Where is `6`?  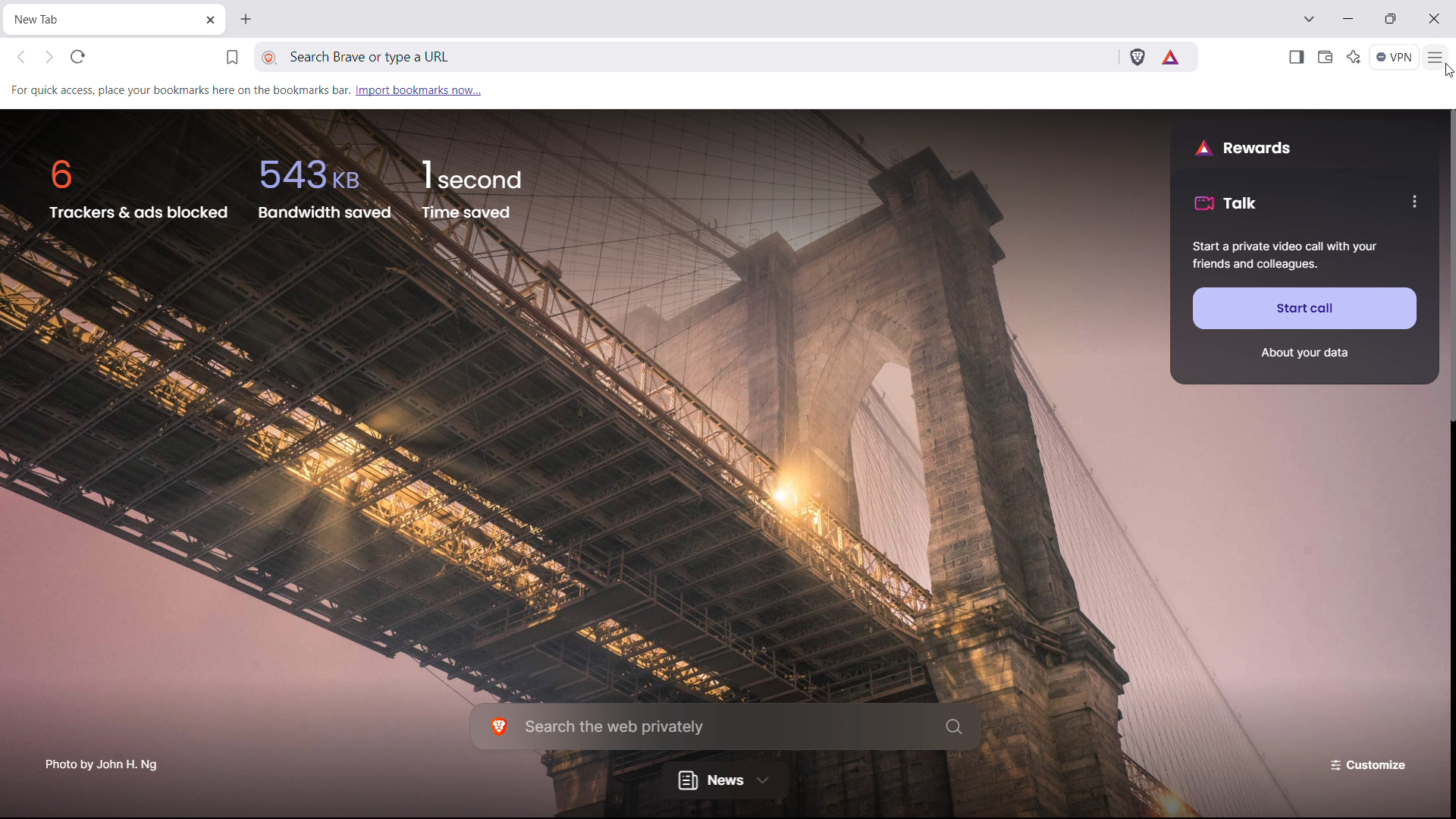 6 is located at coordinates (63, 171).